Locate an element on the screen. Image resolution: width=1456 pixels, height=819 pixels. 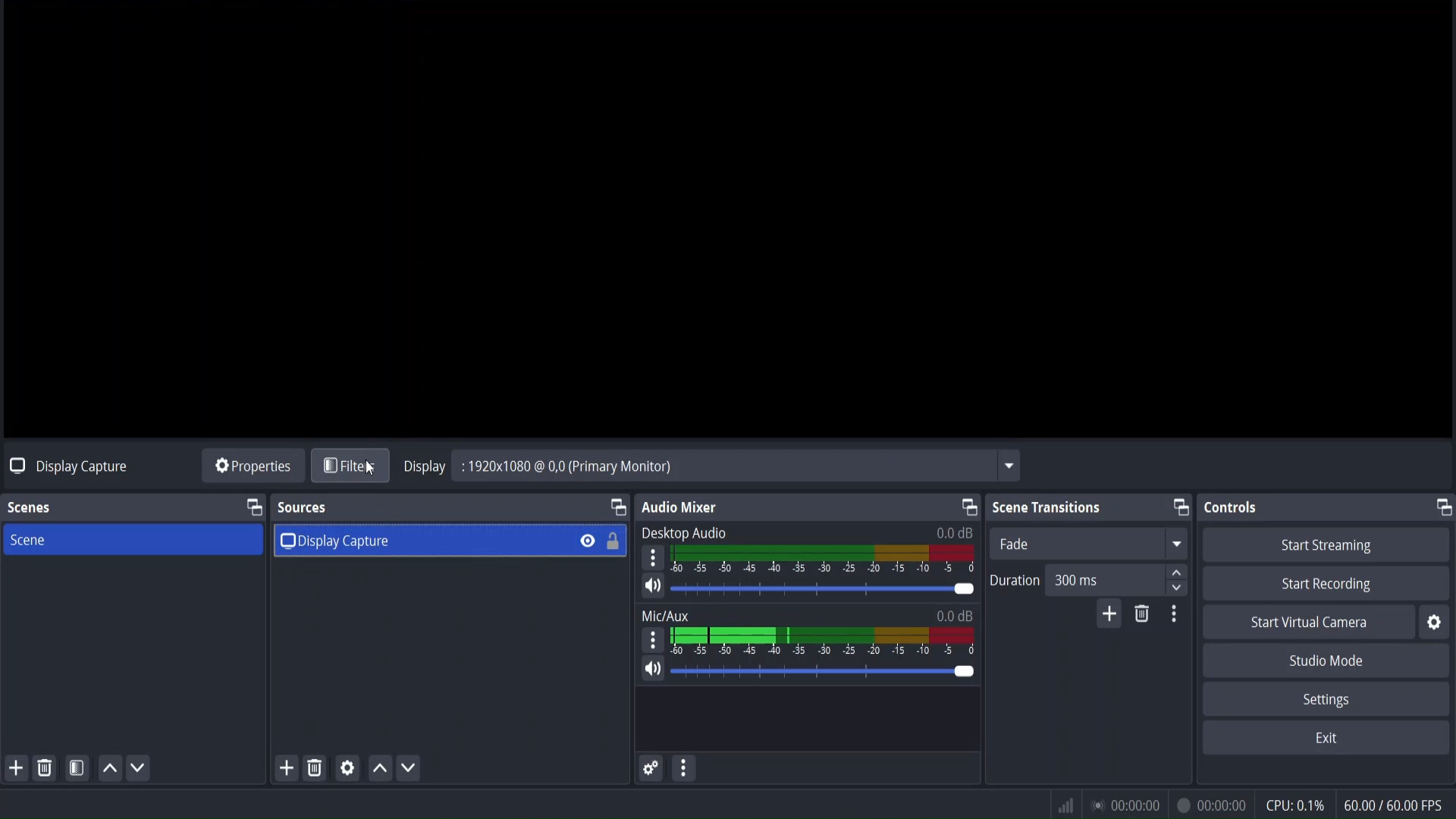
duration is located at coordinates (1077, 582).